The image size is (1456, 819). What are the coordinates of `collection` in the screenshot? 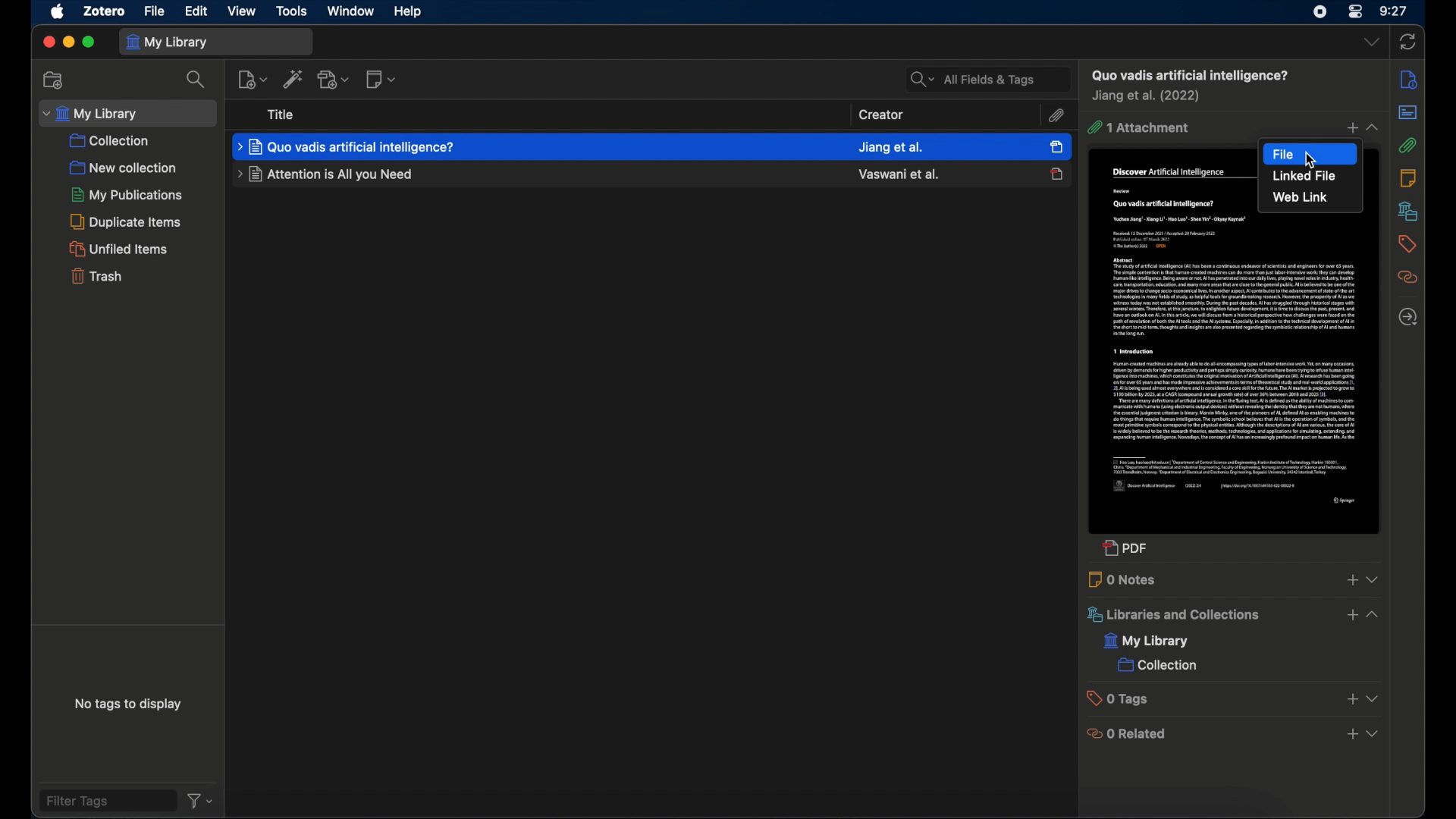 It's located at (111, 141).